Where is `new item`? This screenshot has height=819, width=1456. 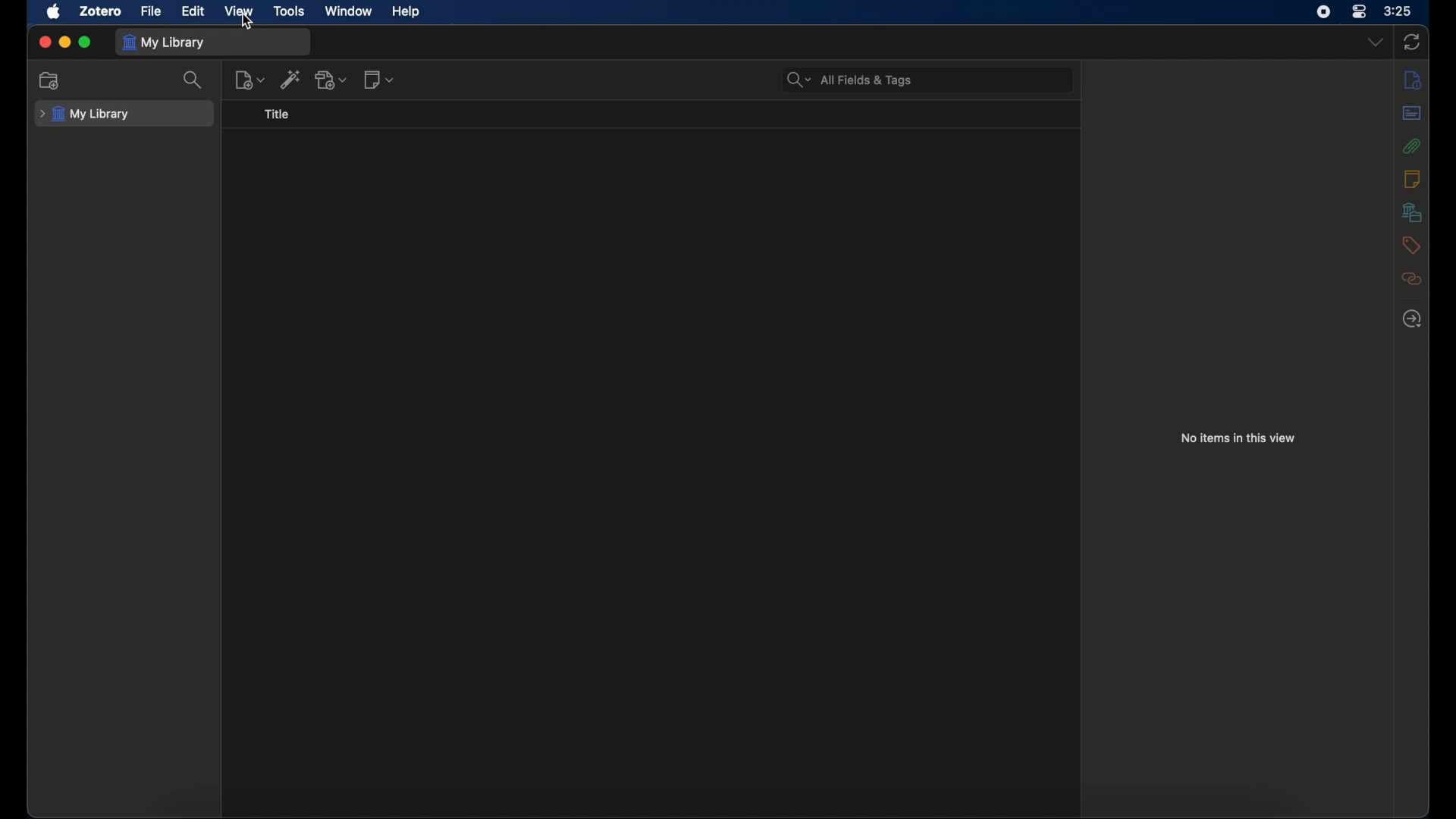 new item is located at coordinates (249, 80).